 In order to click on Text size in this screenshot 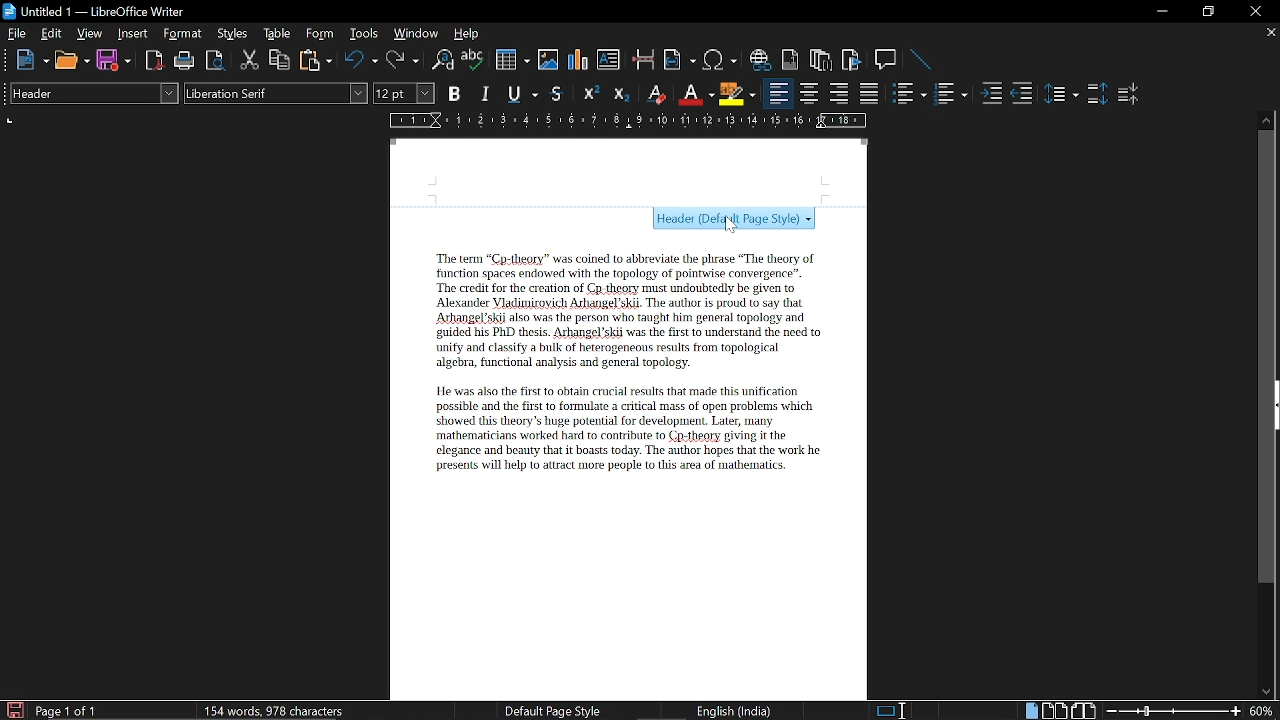, I will do `click(403, 93)`.